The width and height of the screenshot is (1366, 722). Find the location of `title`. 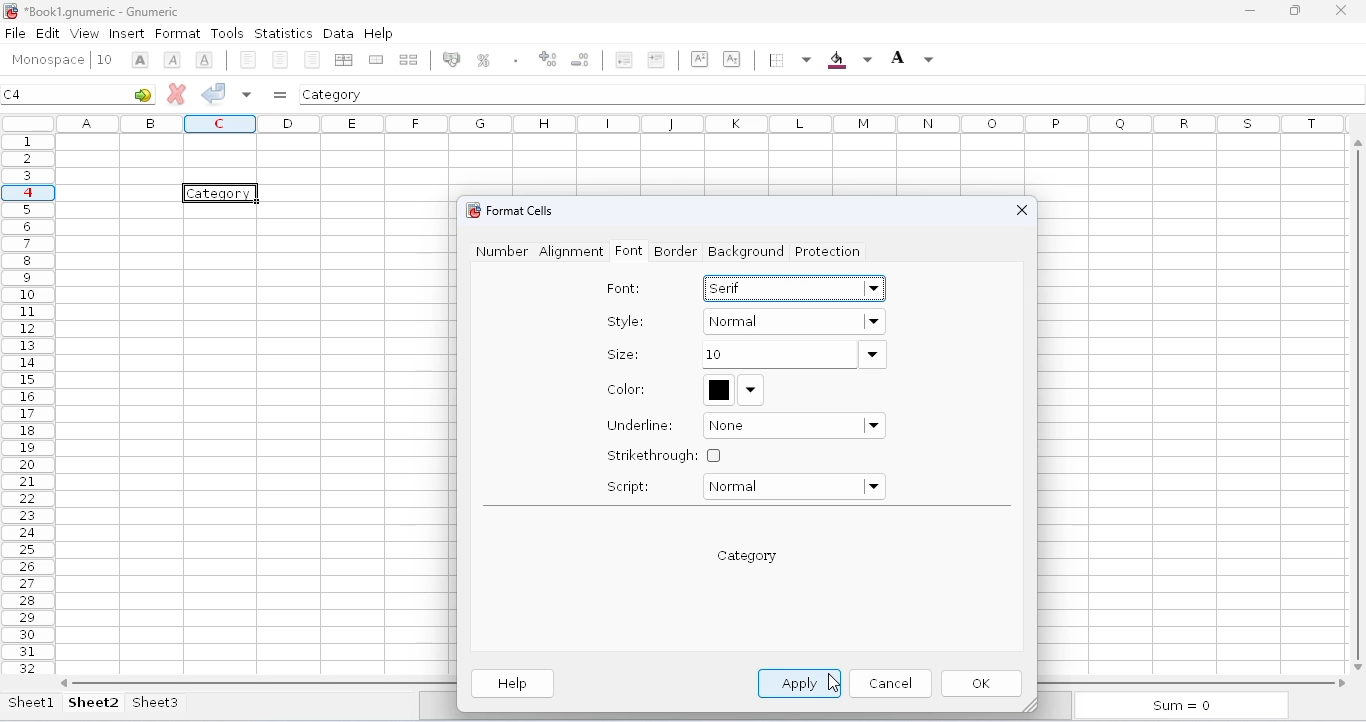

title is located at coordinates (102, 11).